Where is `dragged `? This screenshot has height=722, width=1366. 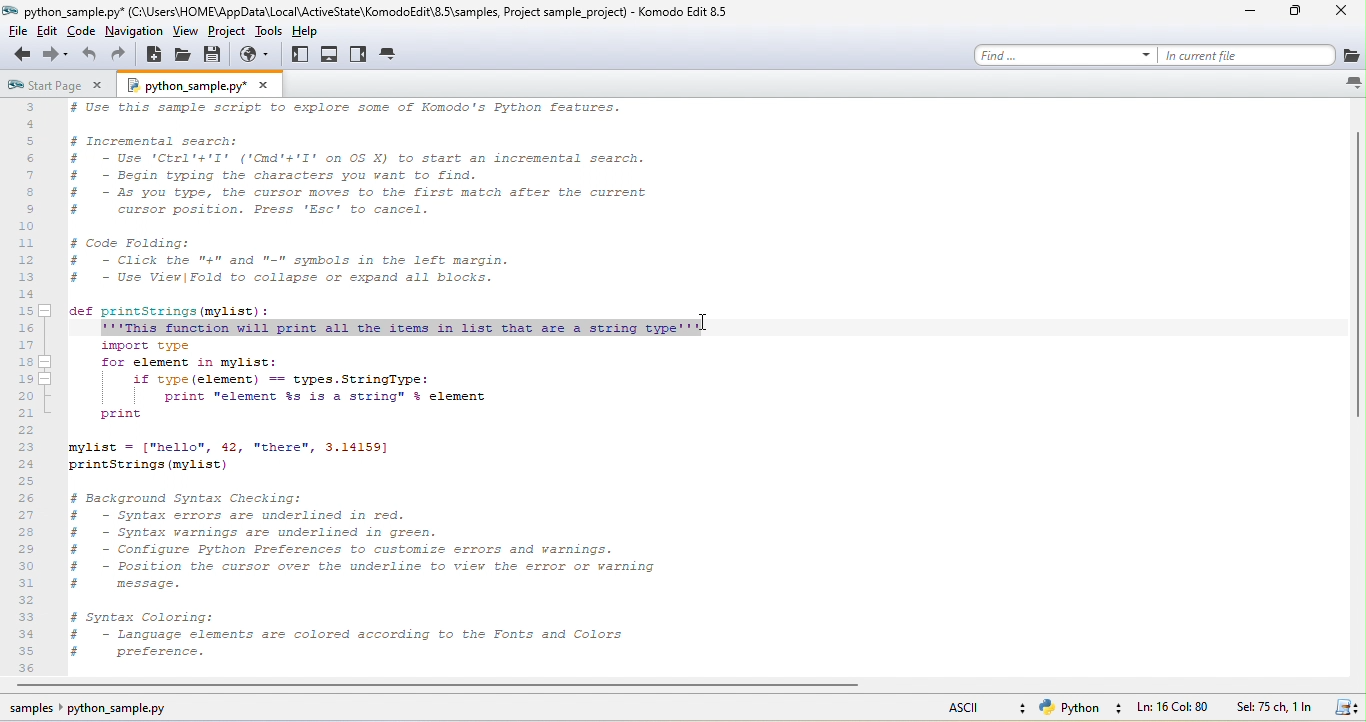
dragged  is located at coordinates (402, 328).